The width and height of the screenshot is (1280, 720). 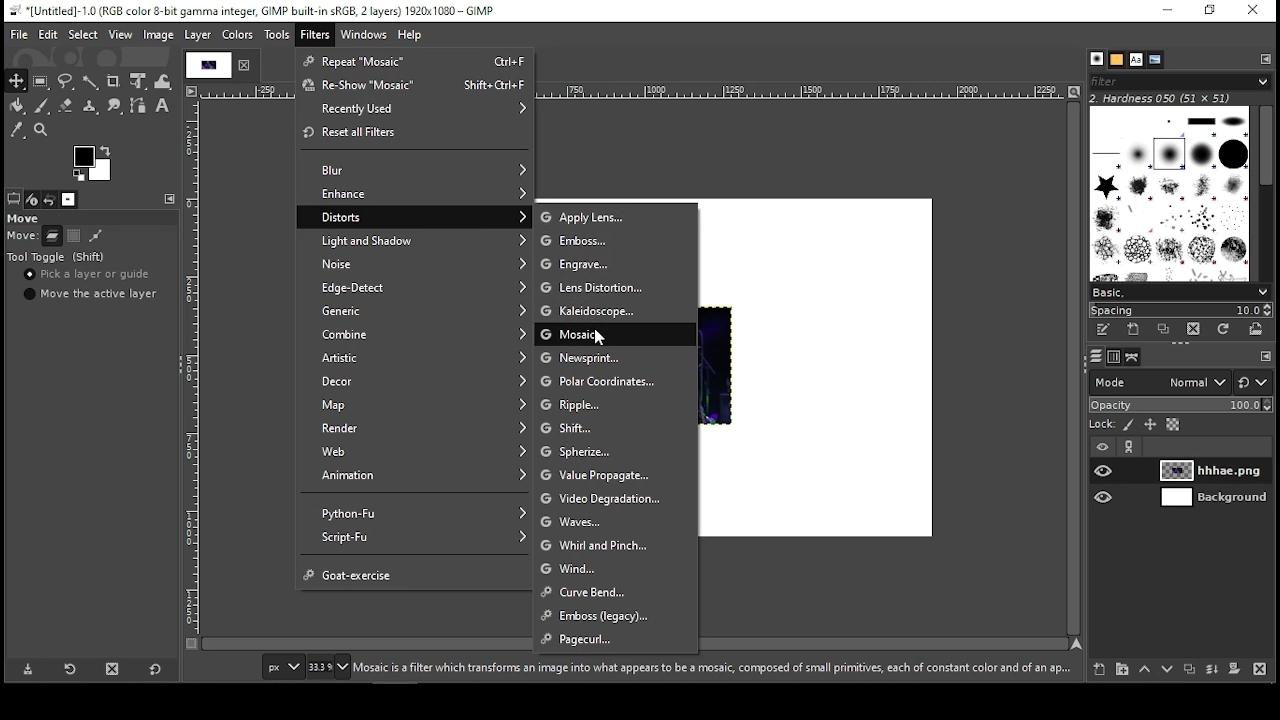 I want to click on eraser tool, so click(x=67, y=105).